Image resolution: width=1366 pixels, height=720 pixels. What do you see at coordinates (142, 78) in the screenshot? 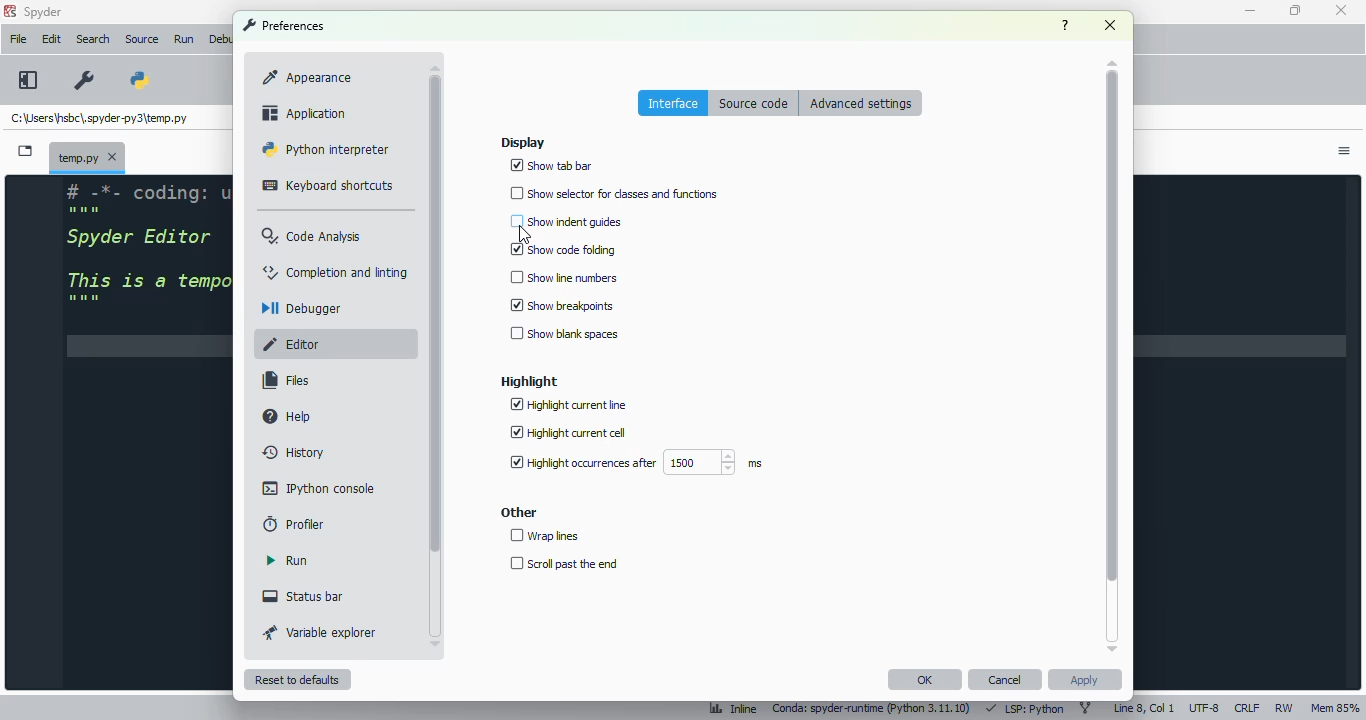
I see `PYTHONPATH manager` at bounding box center [142, 78].